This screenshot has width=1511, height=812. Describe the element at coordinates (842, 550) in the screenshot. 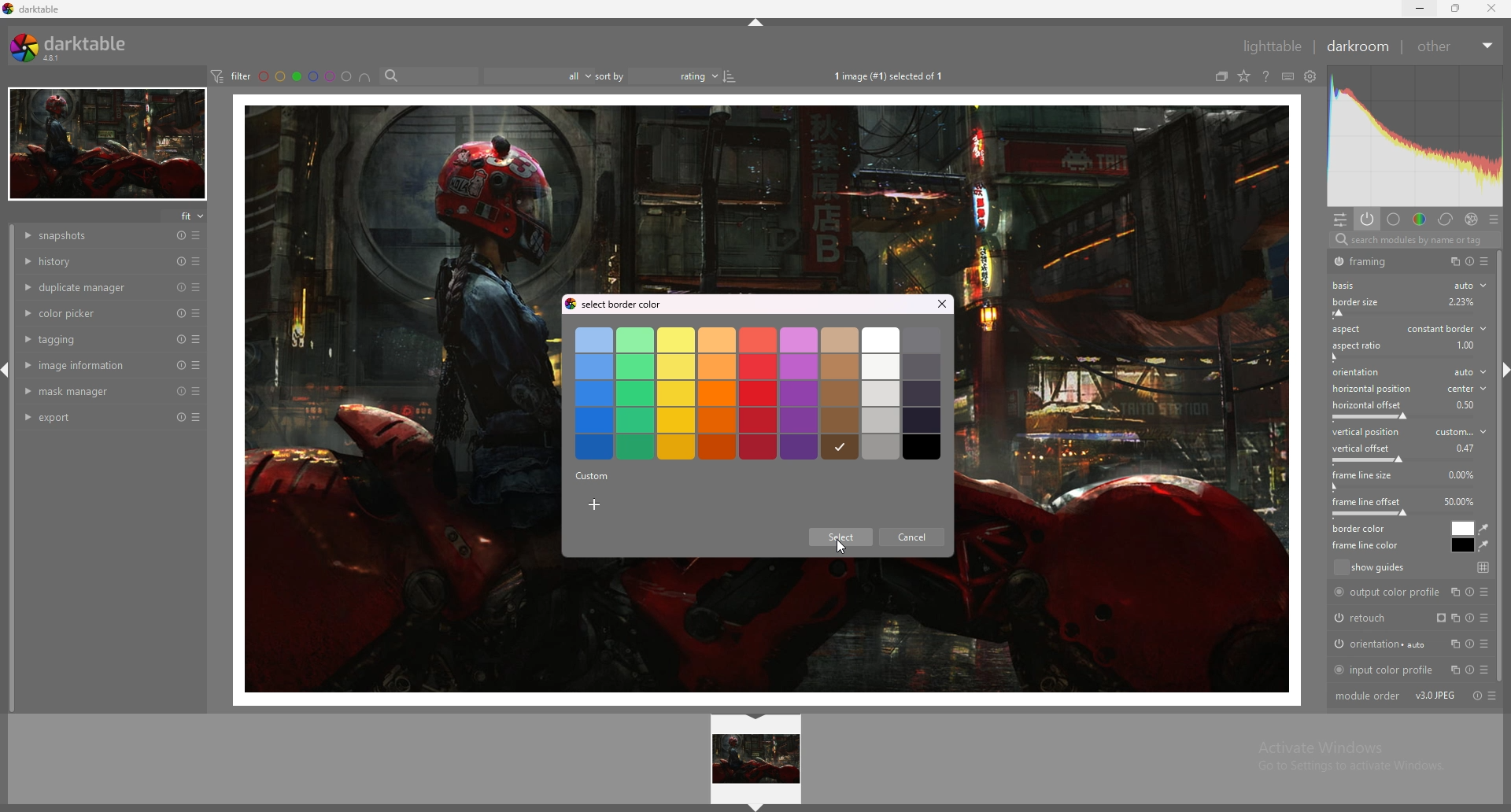

I see `cursor` at that location.